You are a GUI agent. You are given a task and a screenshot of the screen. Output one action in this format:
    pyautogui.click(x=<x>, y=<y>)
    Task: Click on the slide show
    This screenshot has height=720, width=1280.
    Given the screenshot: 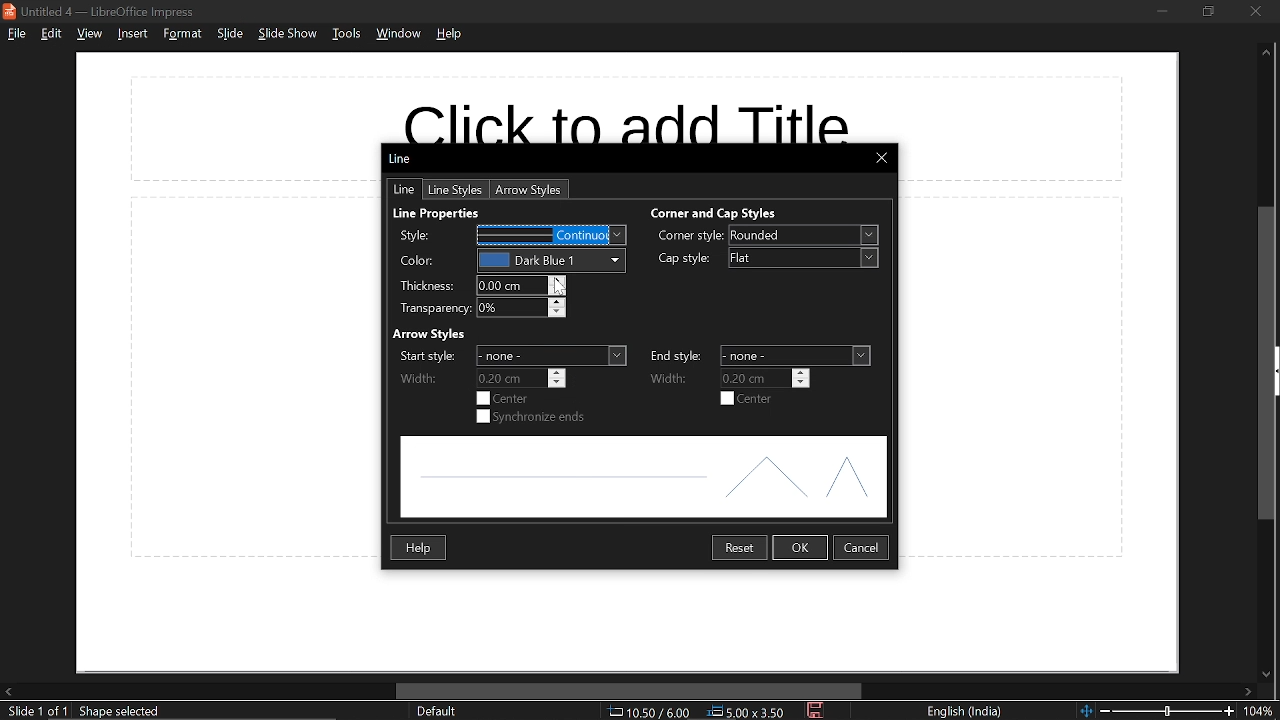 What is the action you would take?
    pyautogui.click(x=286, y=34)
    